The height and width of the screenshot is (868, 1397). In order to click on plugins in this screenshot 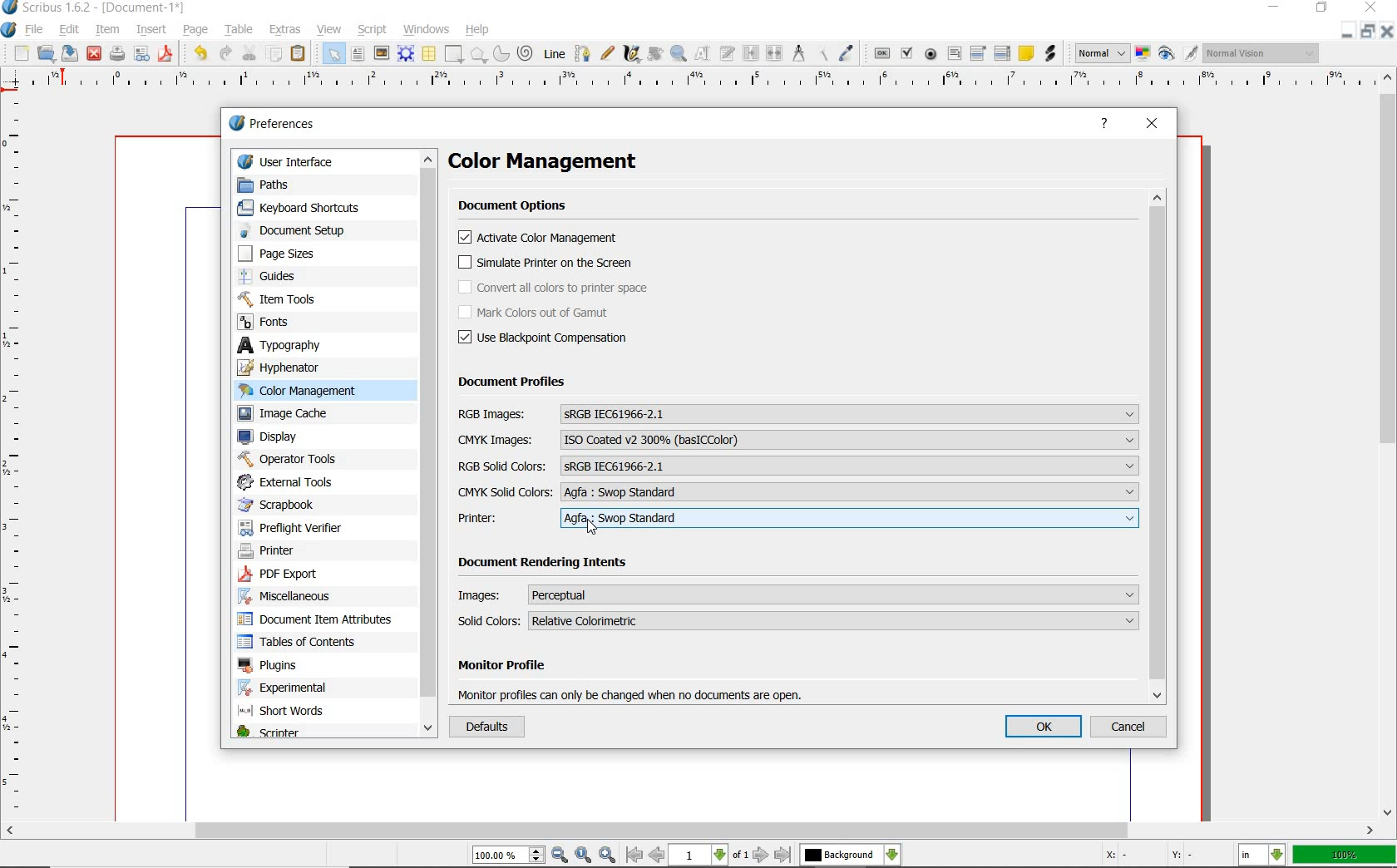, I will do `click(317, 666)`.